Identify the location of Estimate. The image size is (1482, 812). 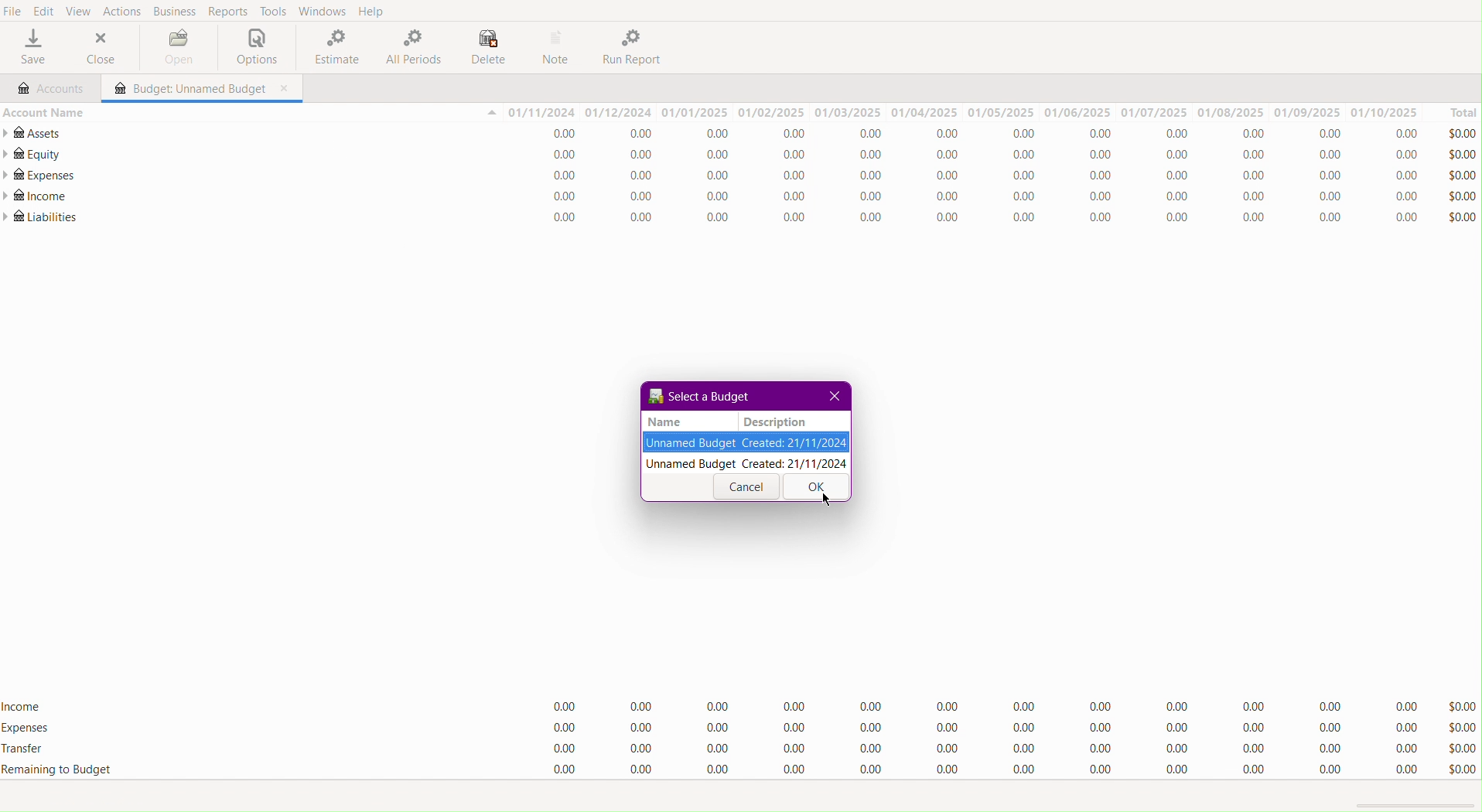
(333, 48).